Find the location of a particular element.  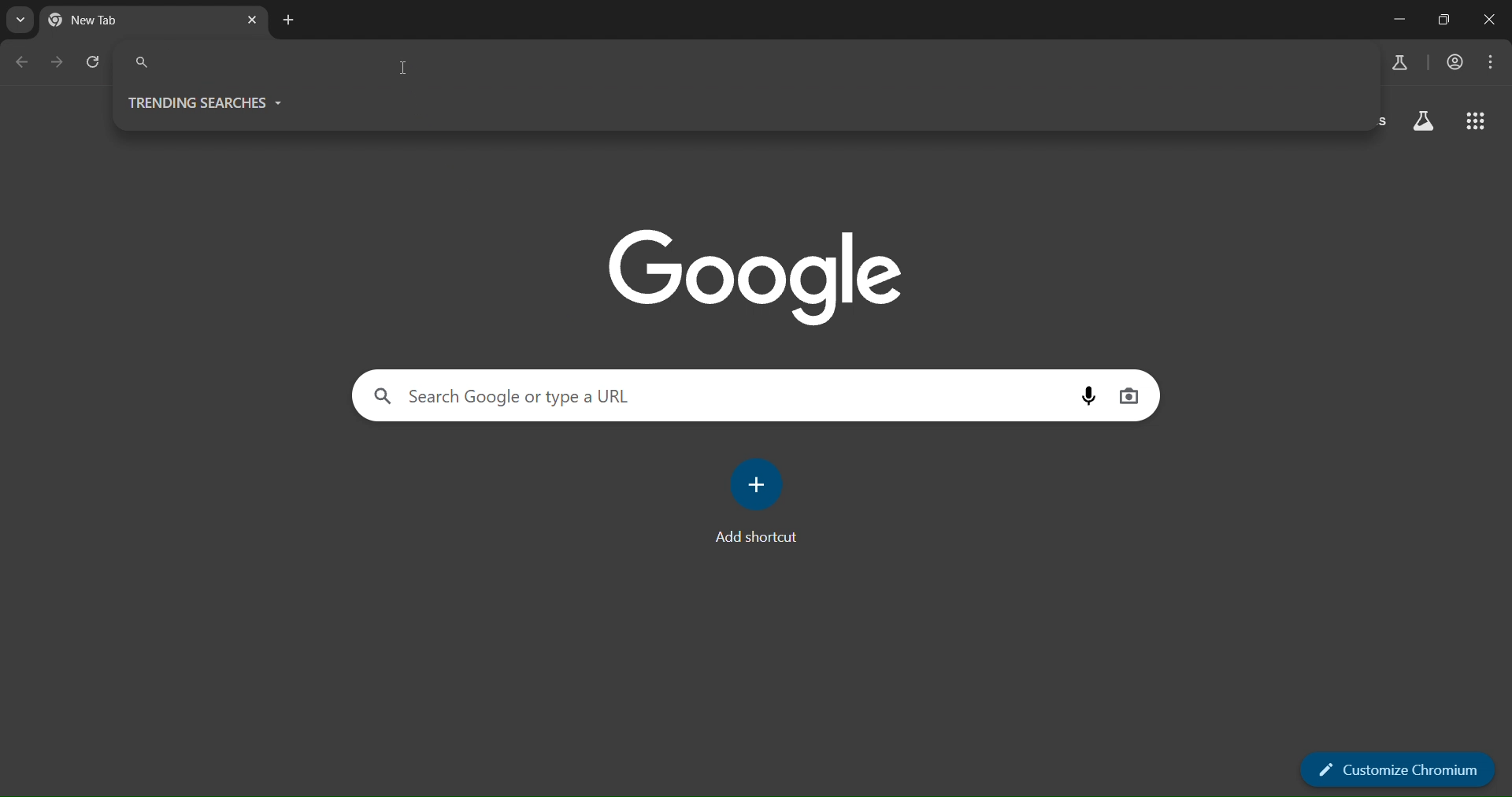

new tab is located at coordinates (289, 21).